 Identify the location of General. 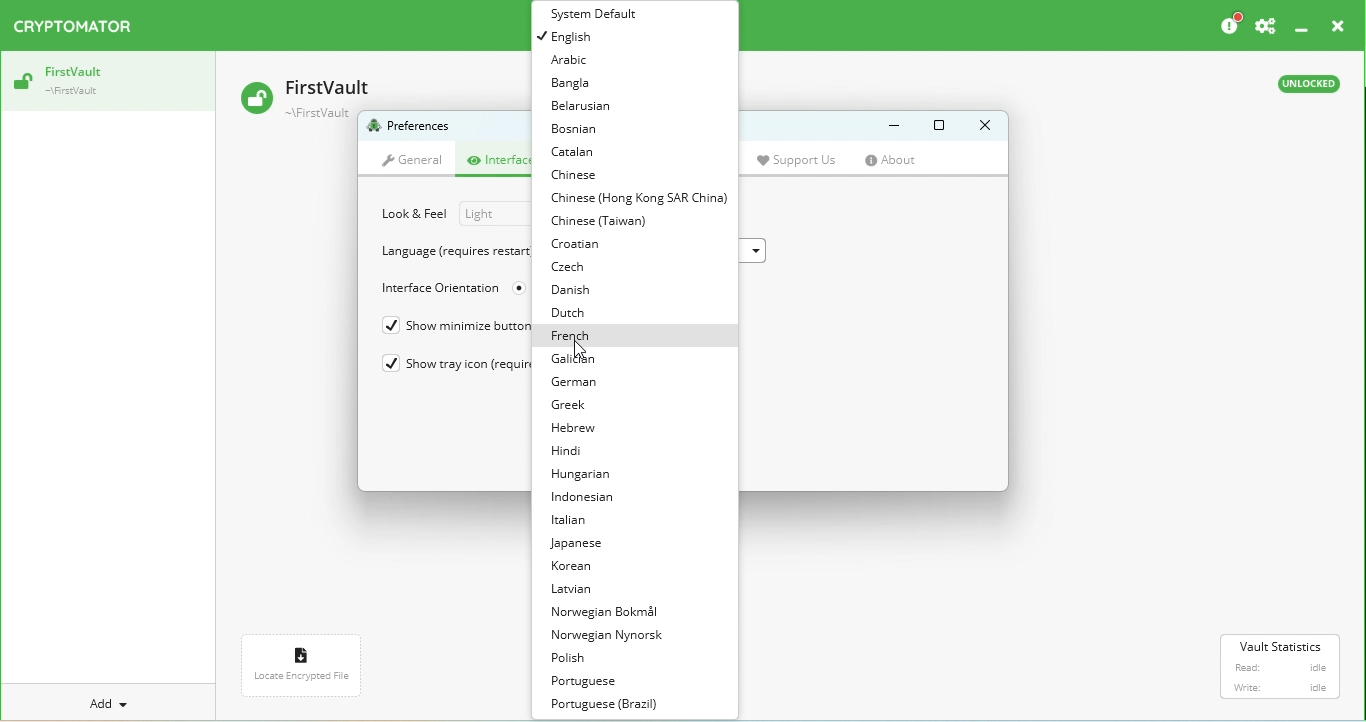
(412, 162).